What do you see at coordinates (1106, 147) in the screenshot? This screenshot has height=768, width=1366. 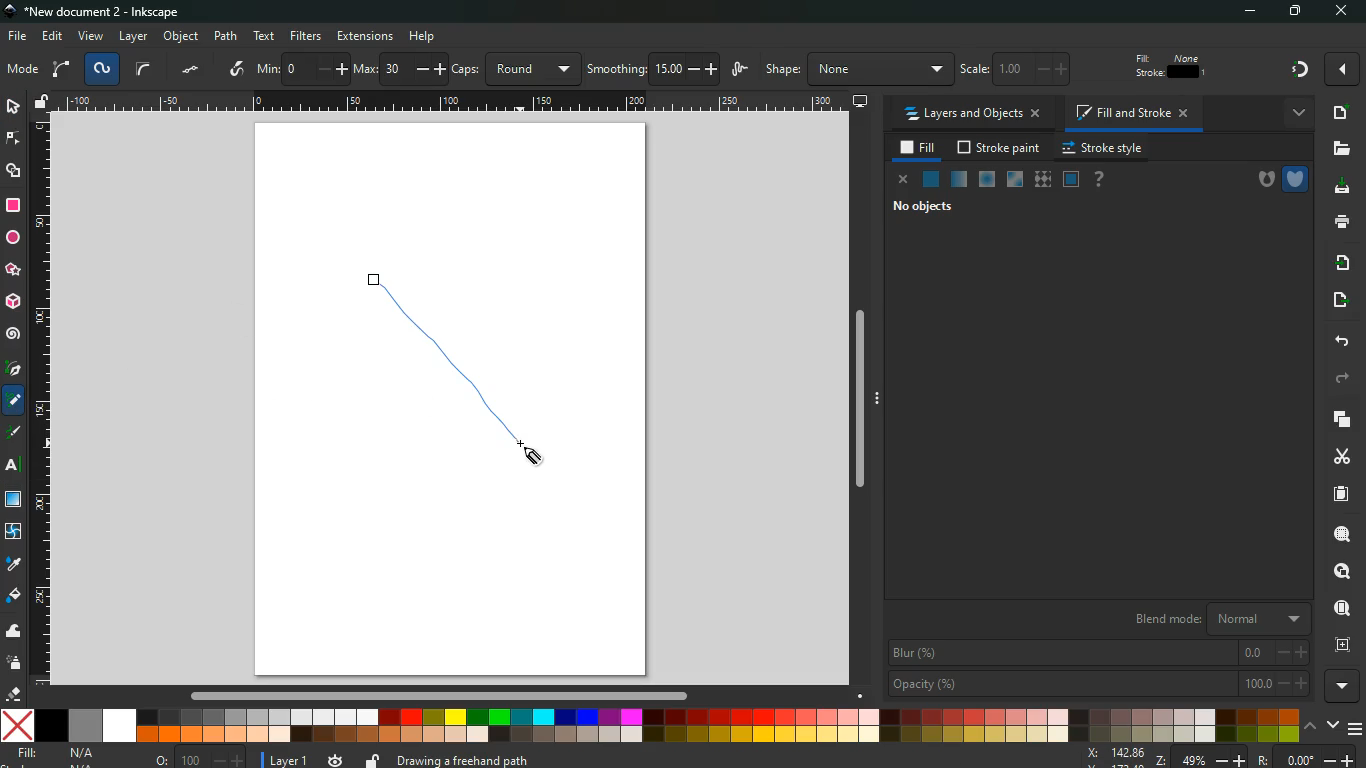 I see `stroke style` at bounding box center [1106, 147].